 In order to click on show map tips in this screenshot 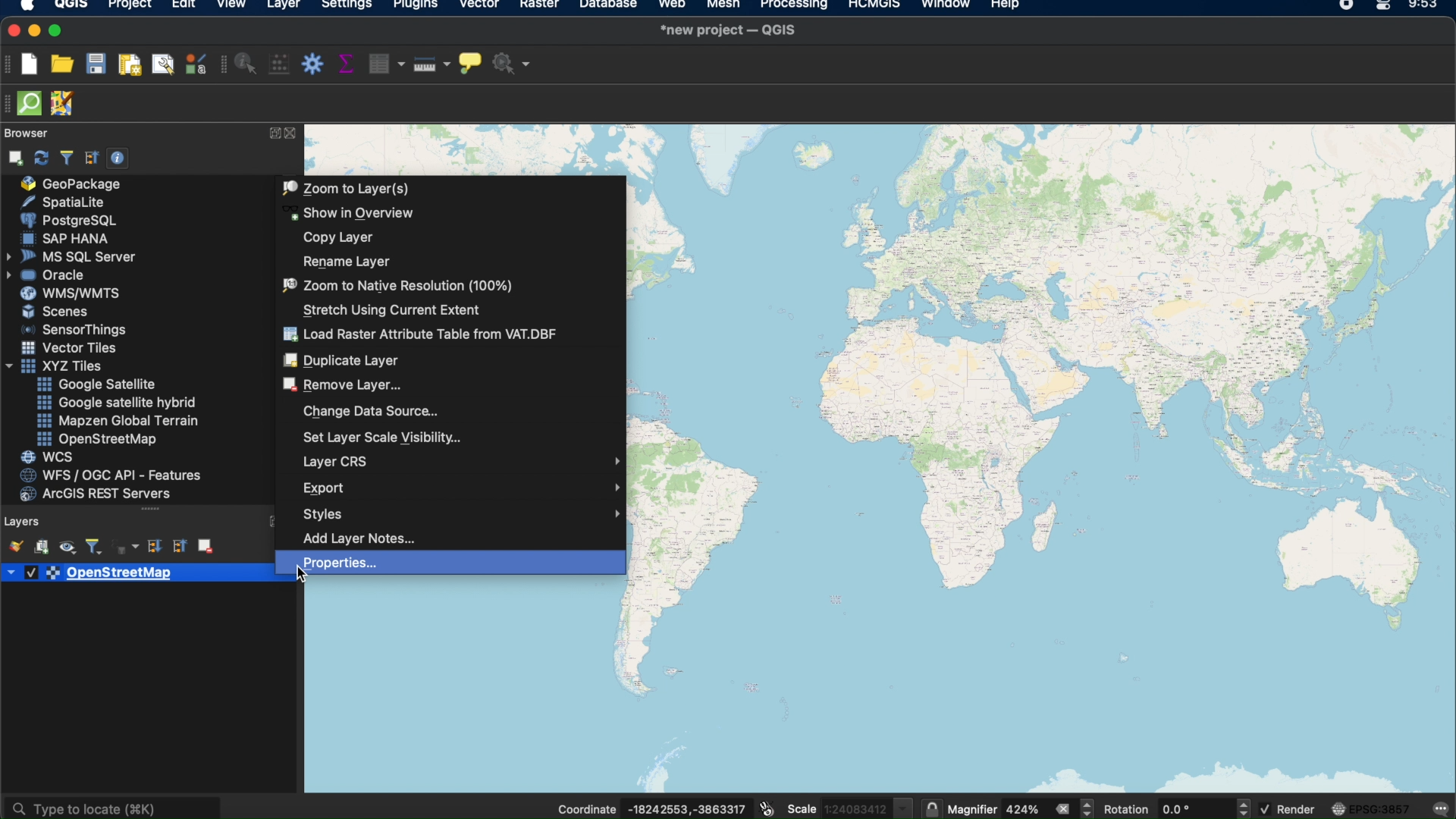, I will do `click(469, 63)`.